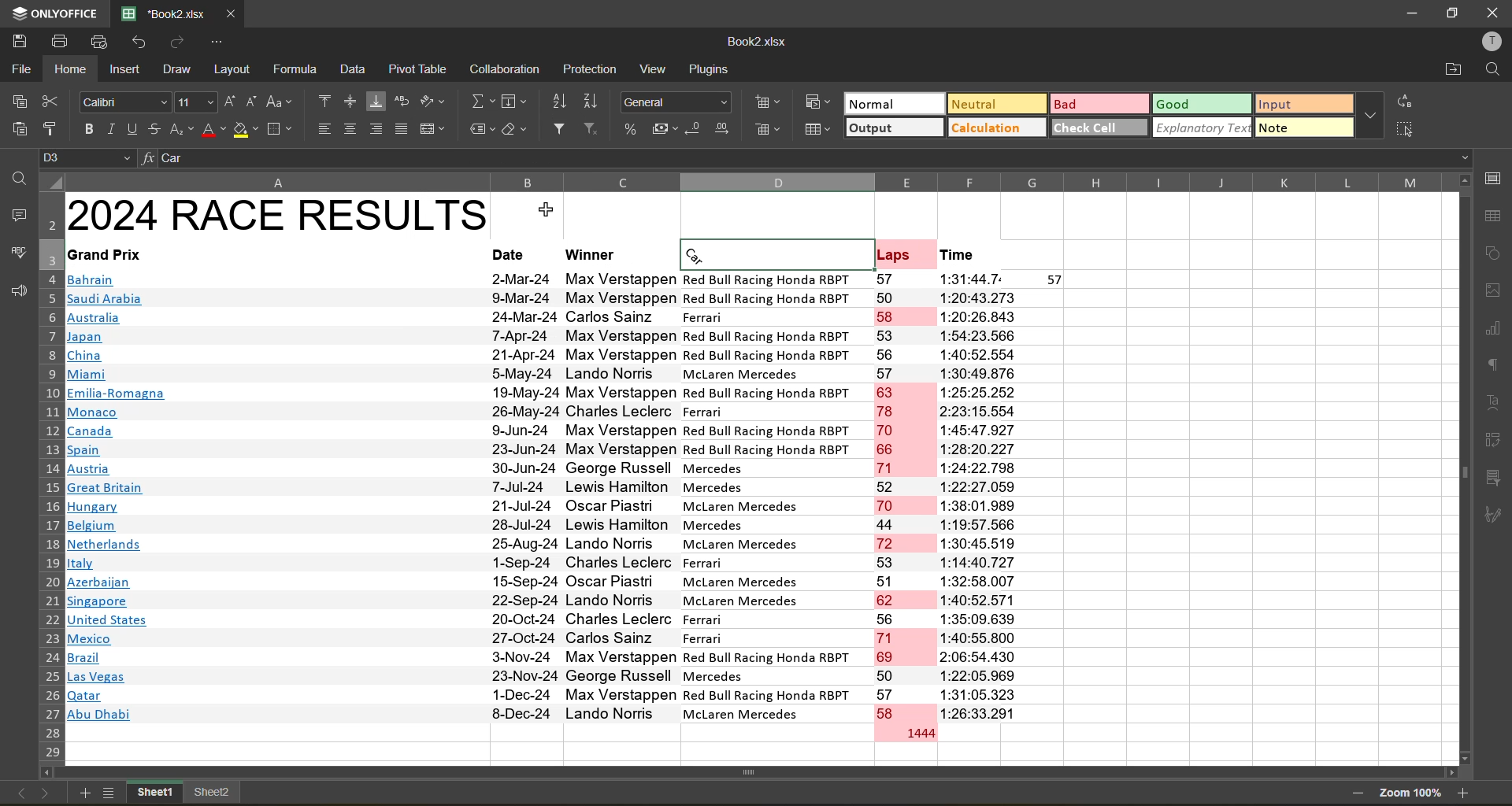 This screenshot has width=1512, height=806. I want to click on Scroll left, so click(49, 773).